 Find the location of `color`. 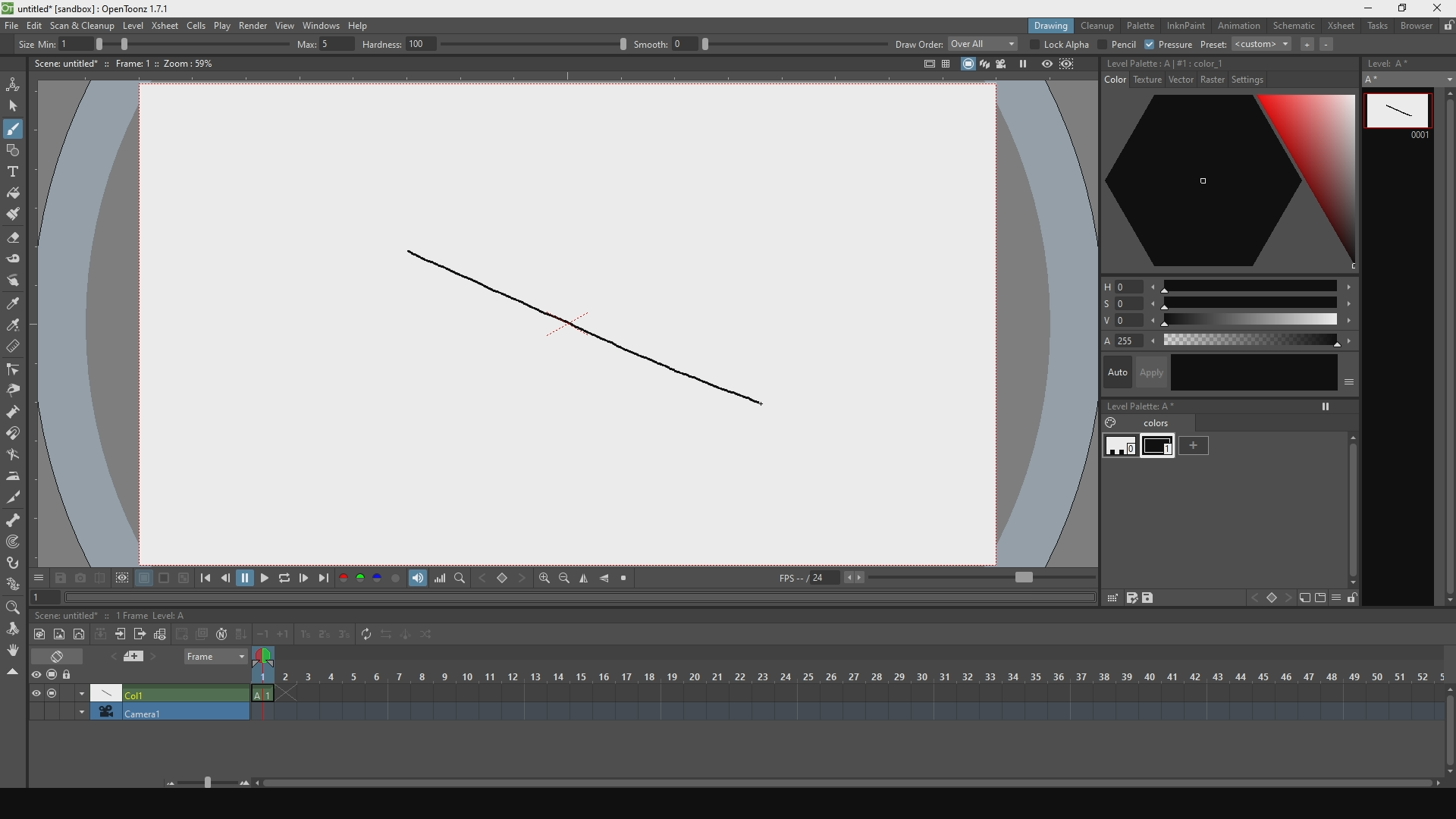

color is located at coordinates (1112, 80).